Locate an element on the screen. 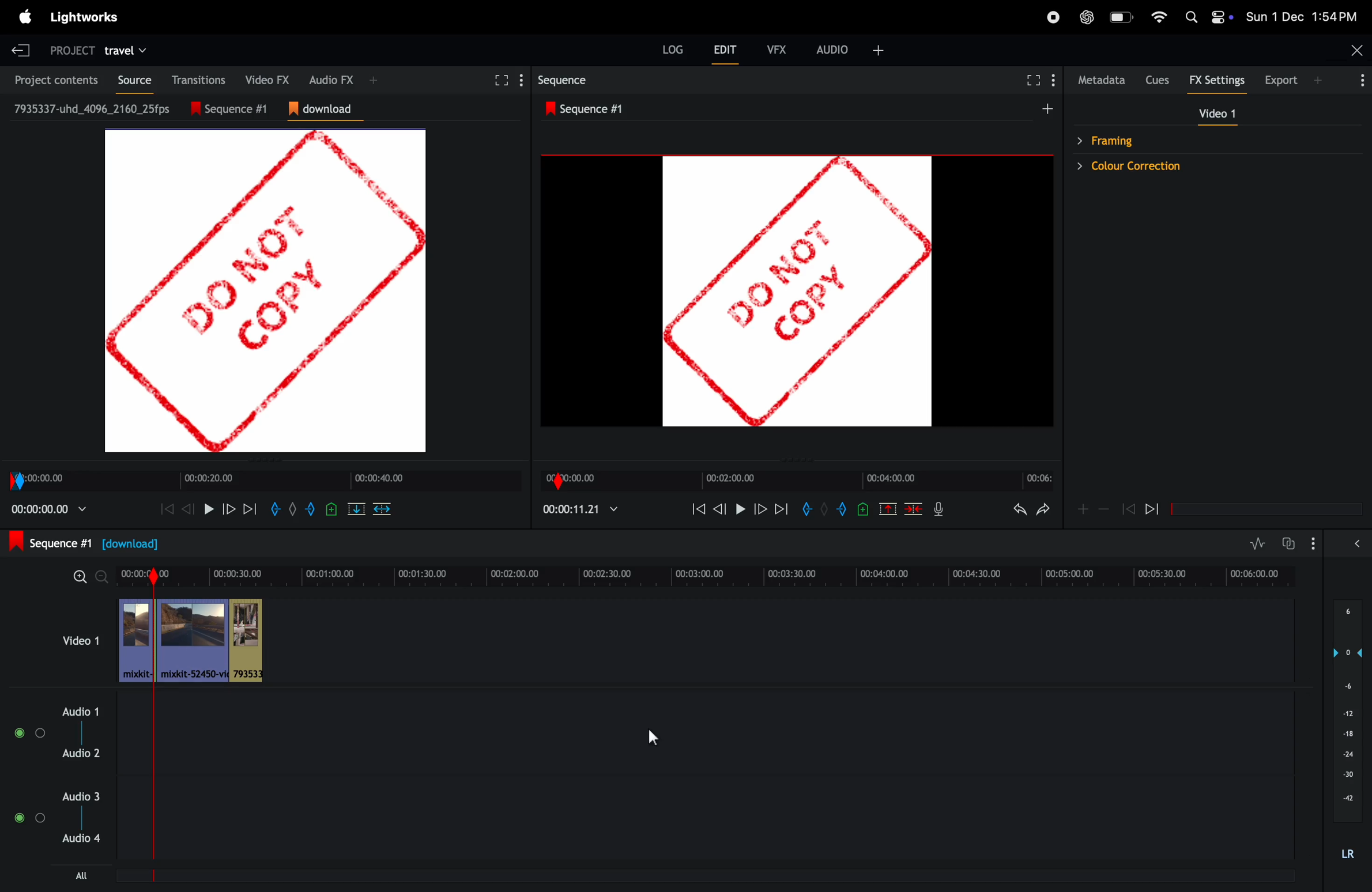 This screenshot has height=892, width=1372. backward is located at coordinates (1128, 508).